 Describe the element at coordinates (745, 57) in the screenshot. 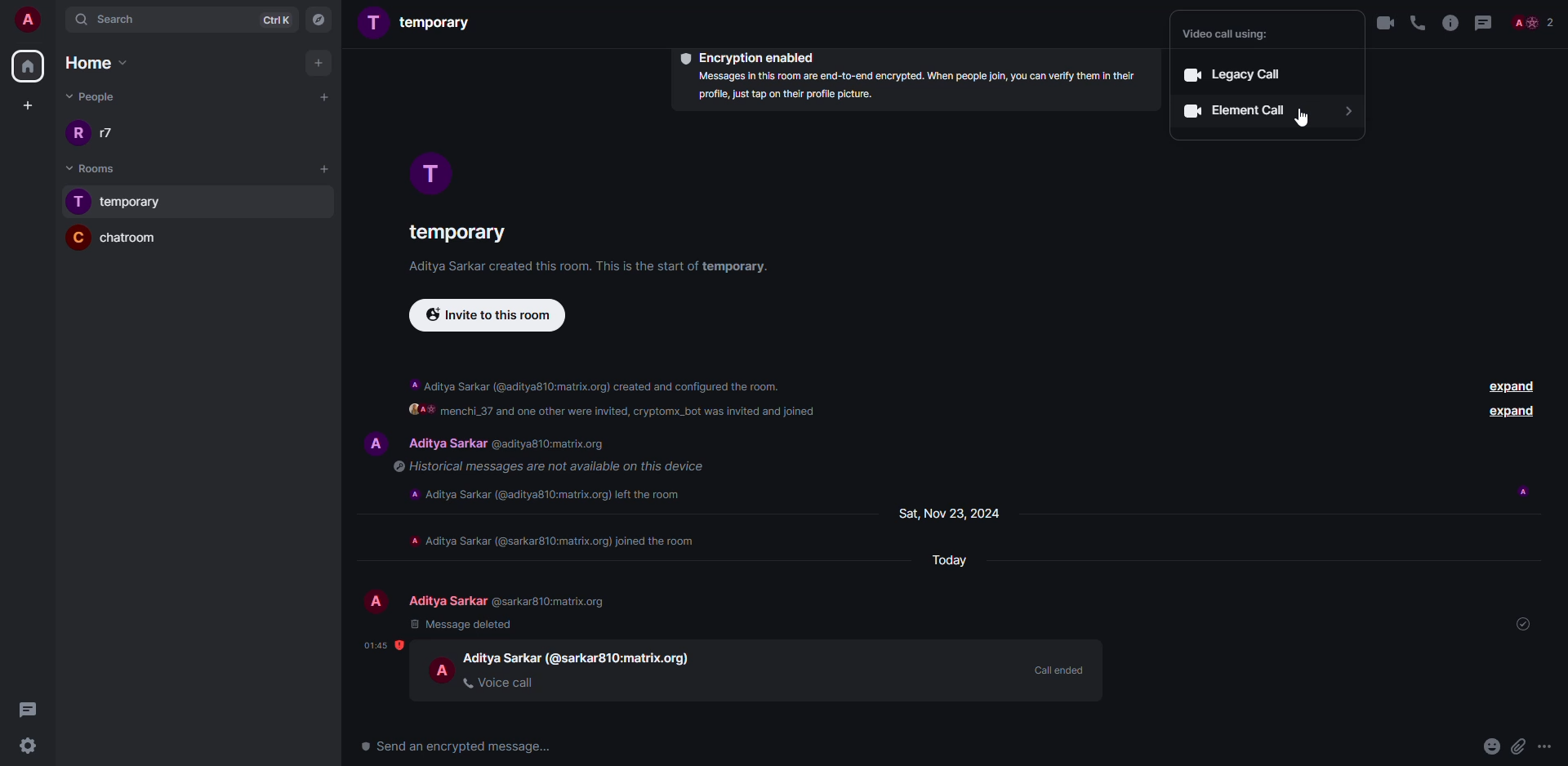

I see `encryption enabled` at that location.